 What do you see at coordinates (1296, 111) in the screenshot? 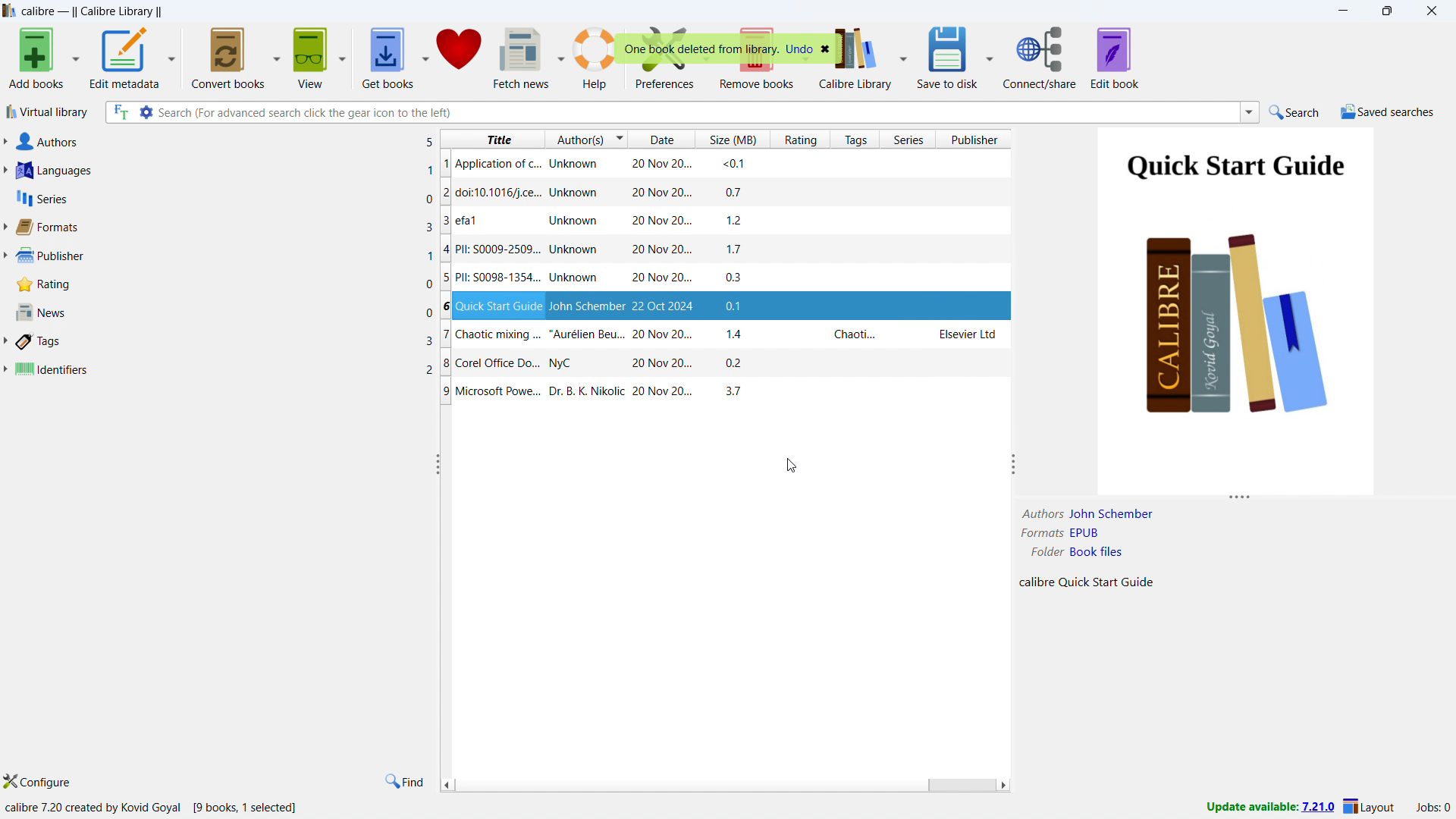
I see `do quick search` at bounding box center [1296, 111].